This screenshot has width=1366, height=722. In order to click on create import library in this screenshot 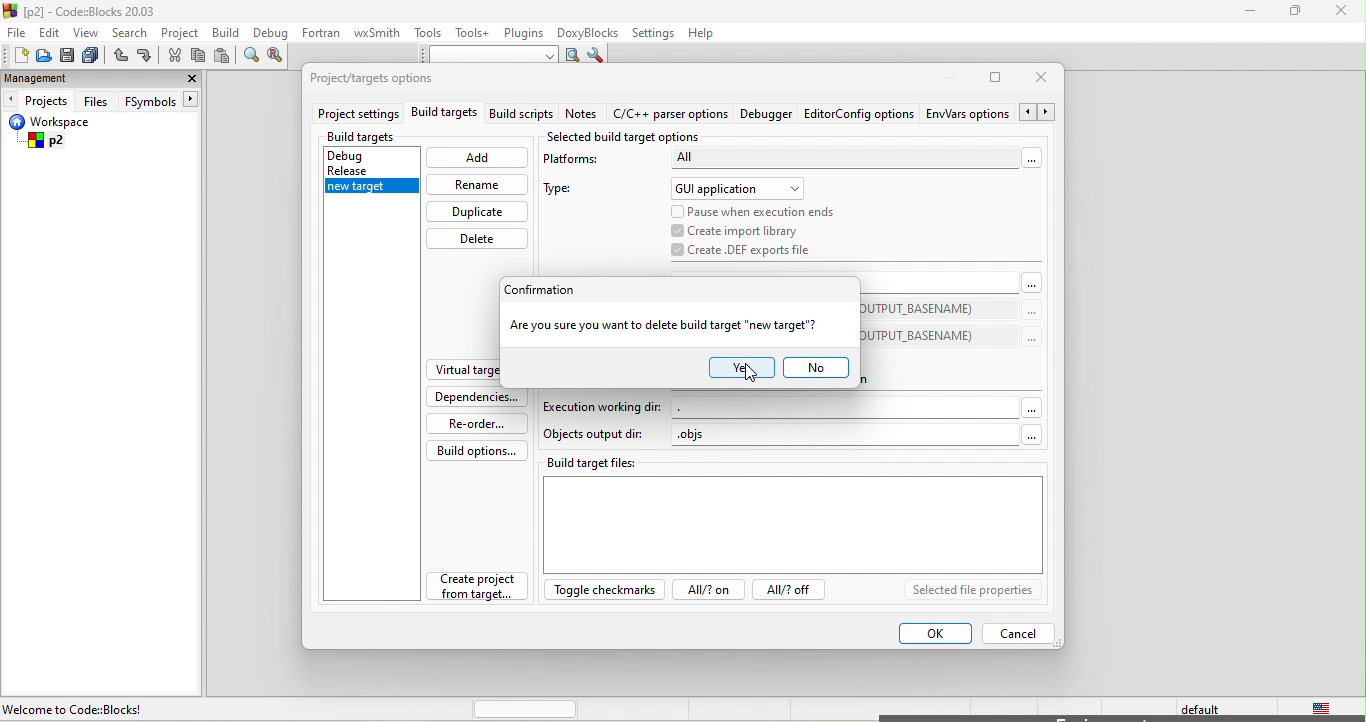, I will do `click(738, 229)`.